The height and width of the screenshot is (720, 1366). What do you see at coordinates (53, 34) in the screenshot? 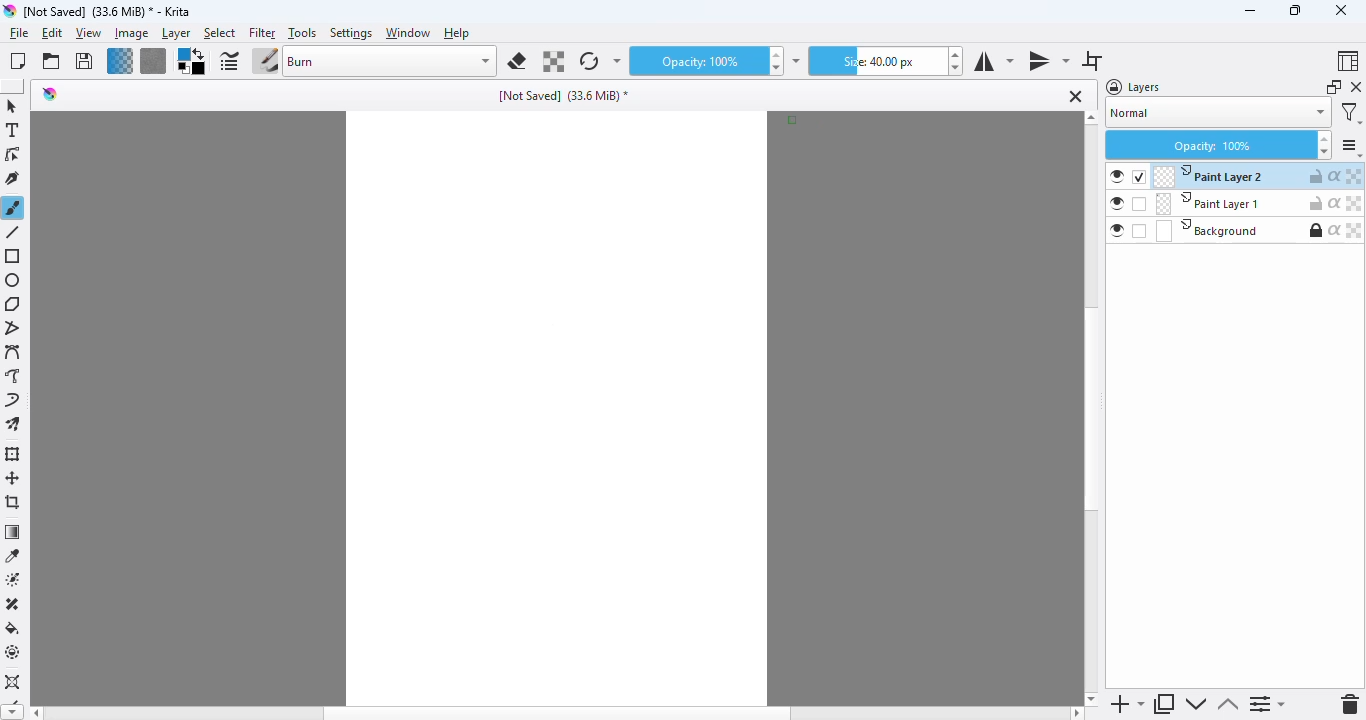
I see `edit` at bounding box center [53, 34].